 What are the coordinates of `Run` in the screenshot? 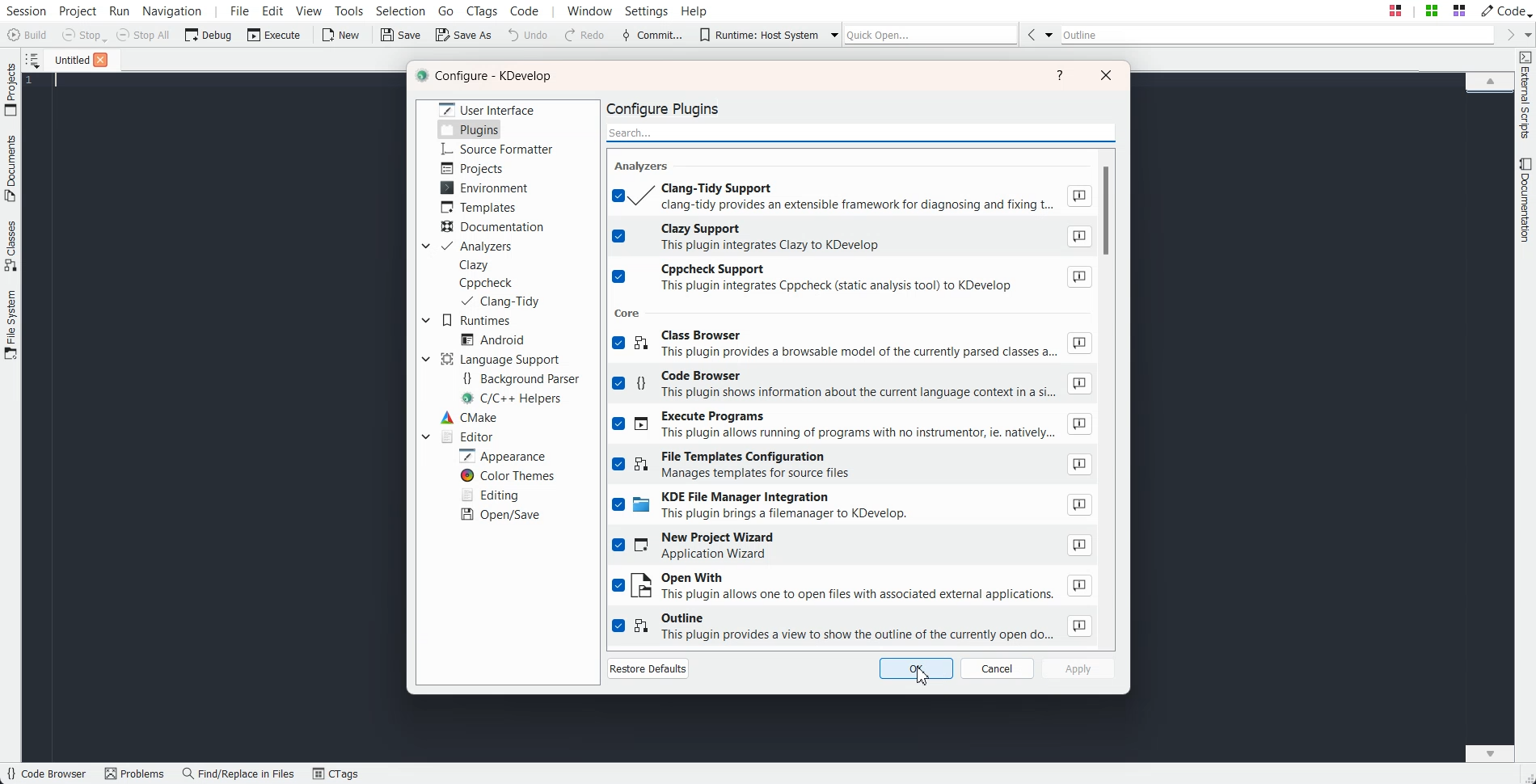 It's located at (118, 11).